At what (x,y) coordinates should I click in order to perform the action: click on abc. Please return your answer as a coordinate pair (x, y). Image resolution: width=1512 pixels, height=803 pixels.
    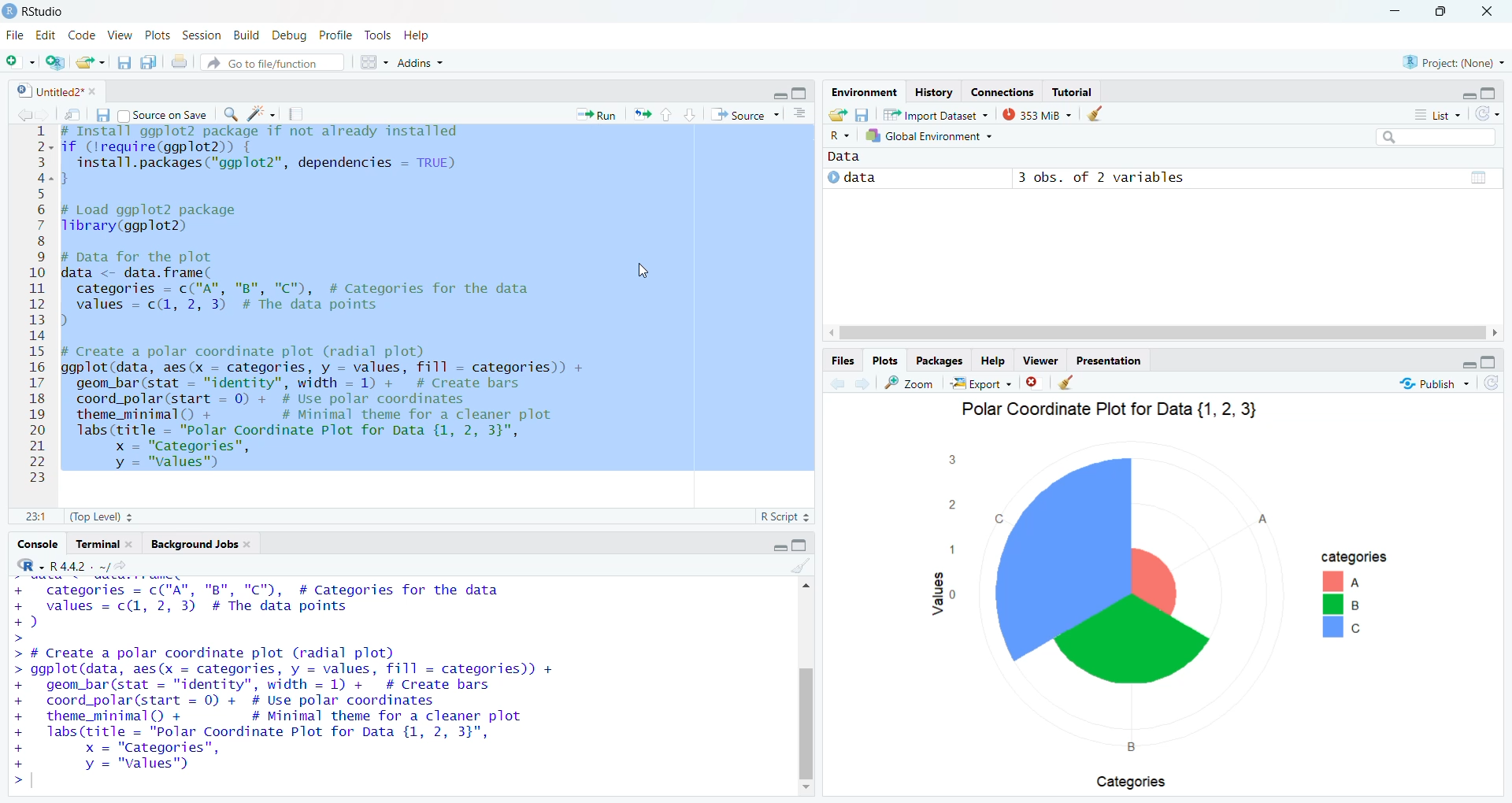
    Looking at the image, I should click on (1344, 611).